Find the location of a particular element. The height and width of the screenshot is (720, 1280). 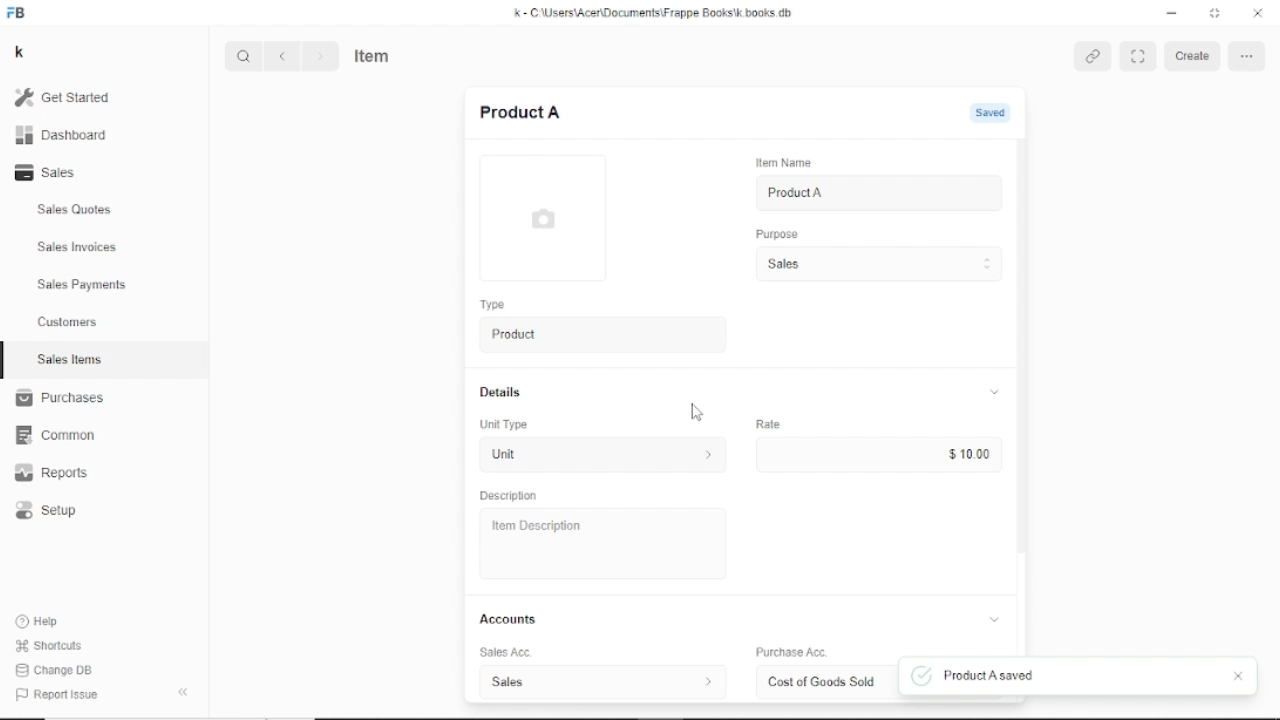

Sales Invoices is located at coordinates (77, 248).